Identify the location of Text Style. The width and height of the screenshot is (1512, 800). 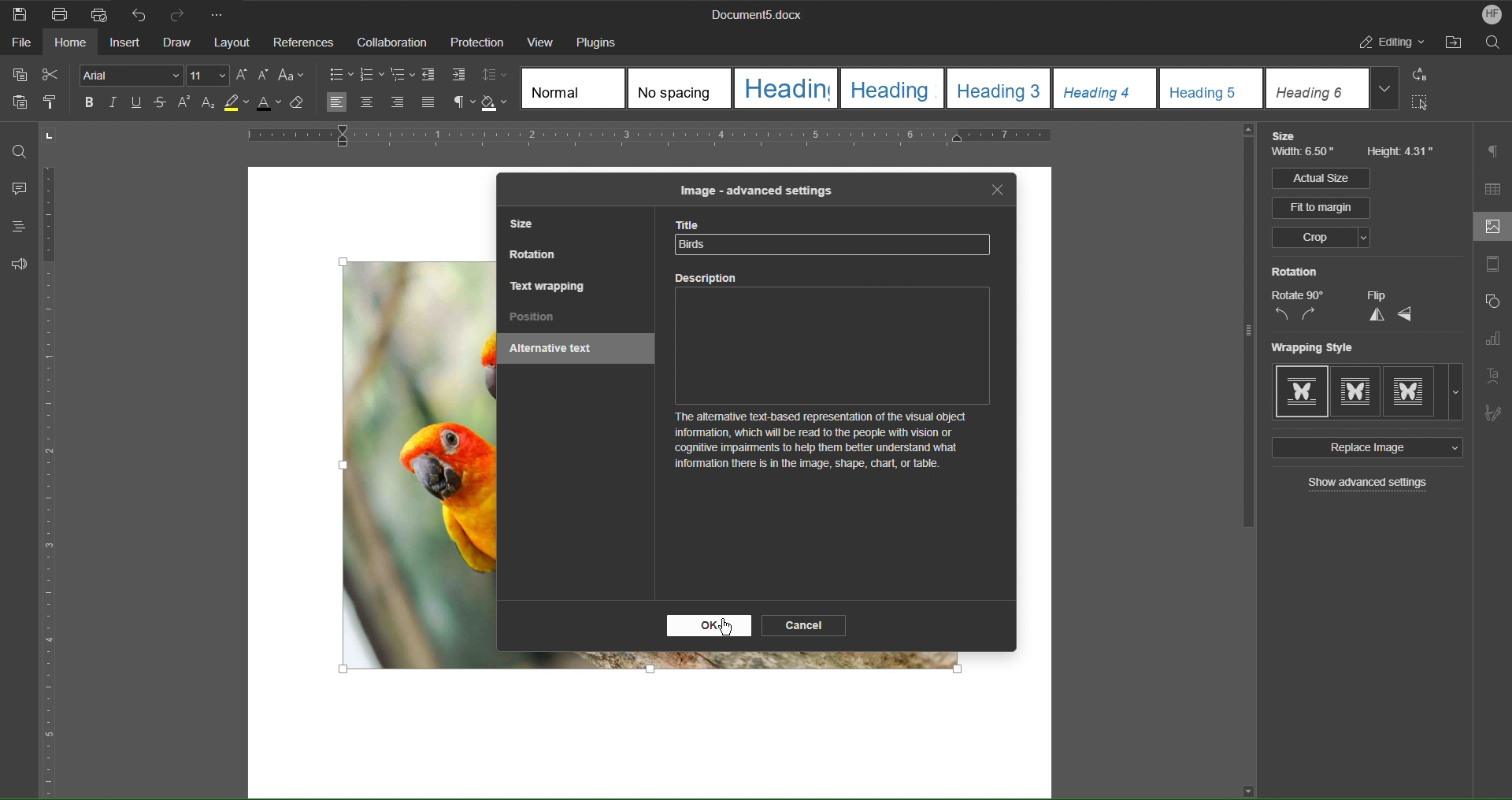
(962, 88).